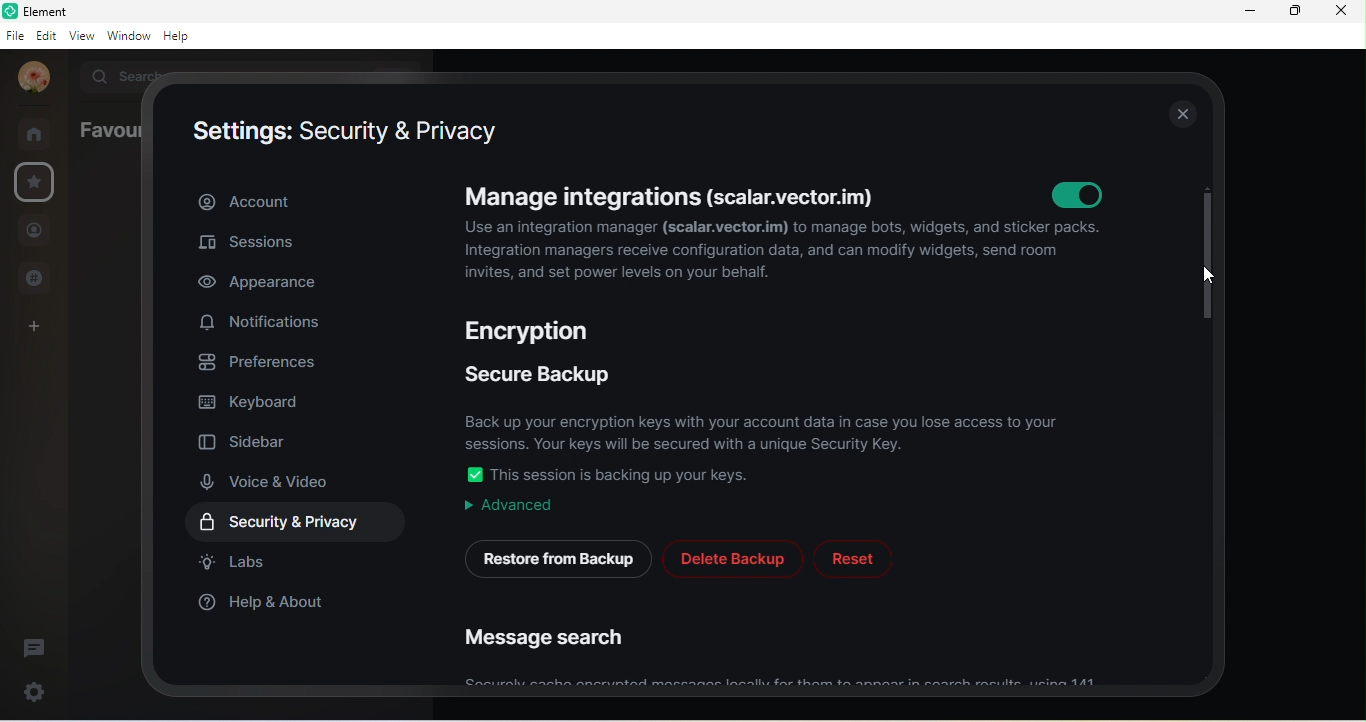 The width and height of the screenshot is (1366, 722). I want to click on search, so click(129, 75).